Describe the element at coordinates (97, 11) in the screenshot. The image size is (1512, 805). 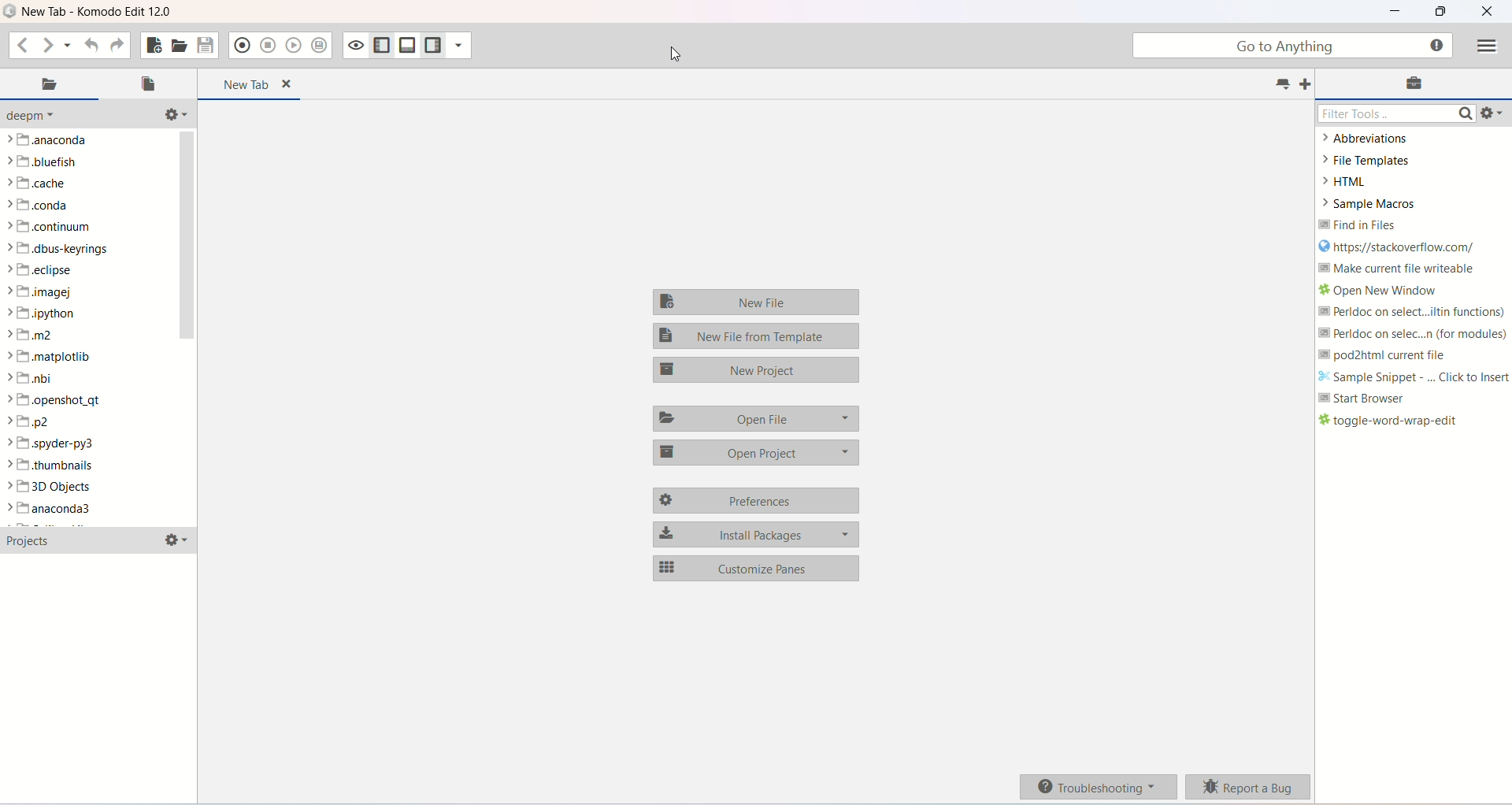
I see `title` at that location.